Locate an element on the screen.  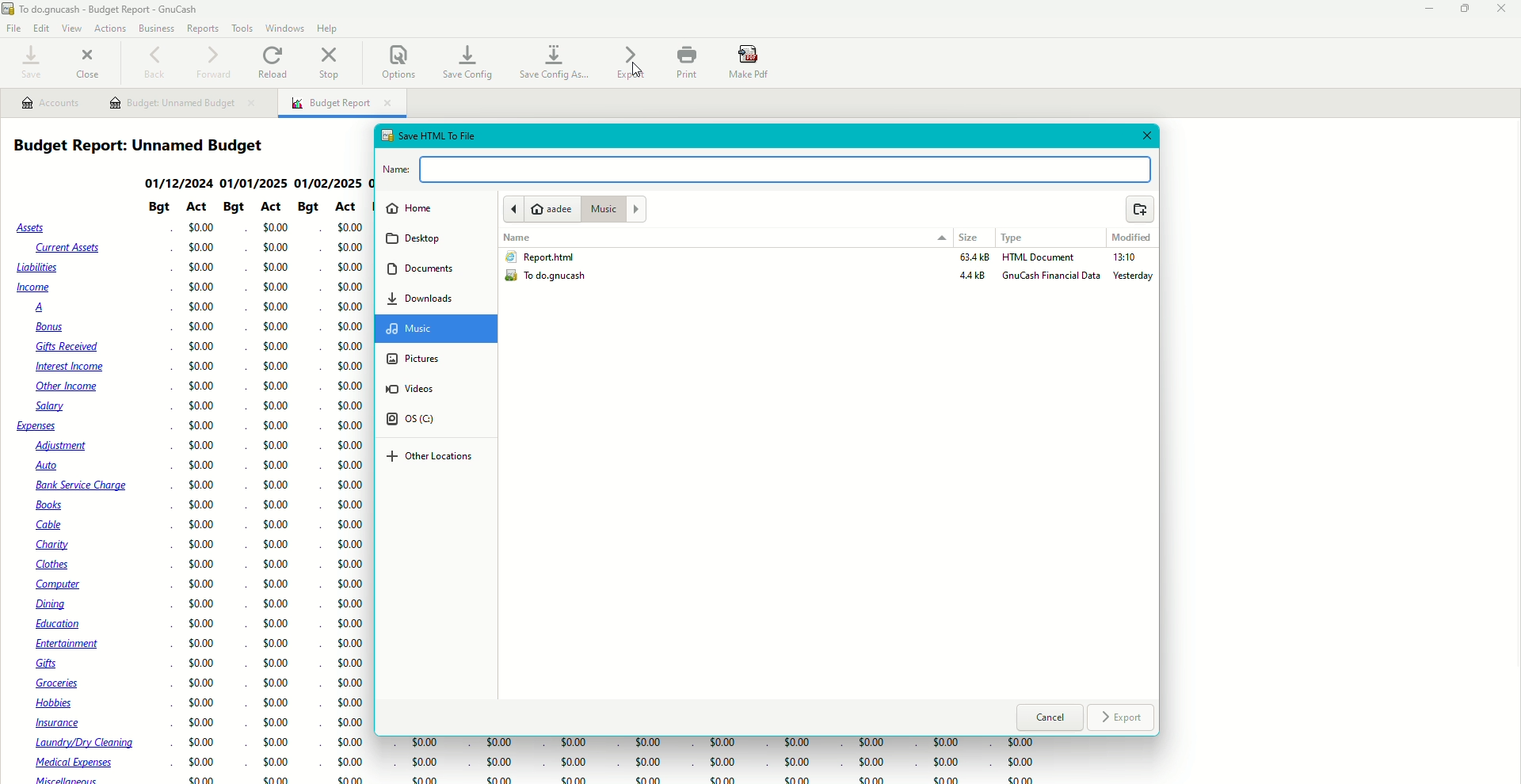
HTML  is located at coordinates (1040, 258).